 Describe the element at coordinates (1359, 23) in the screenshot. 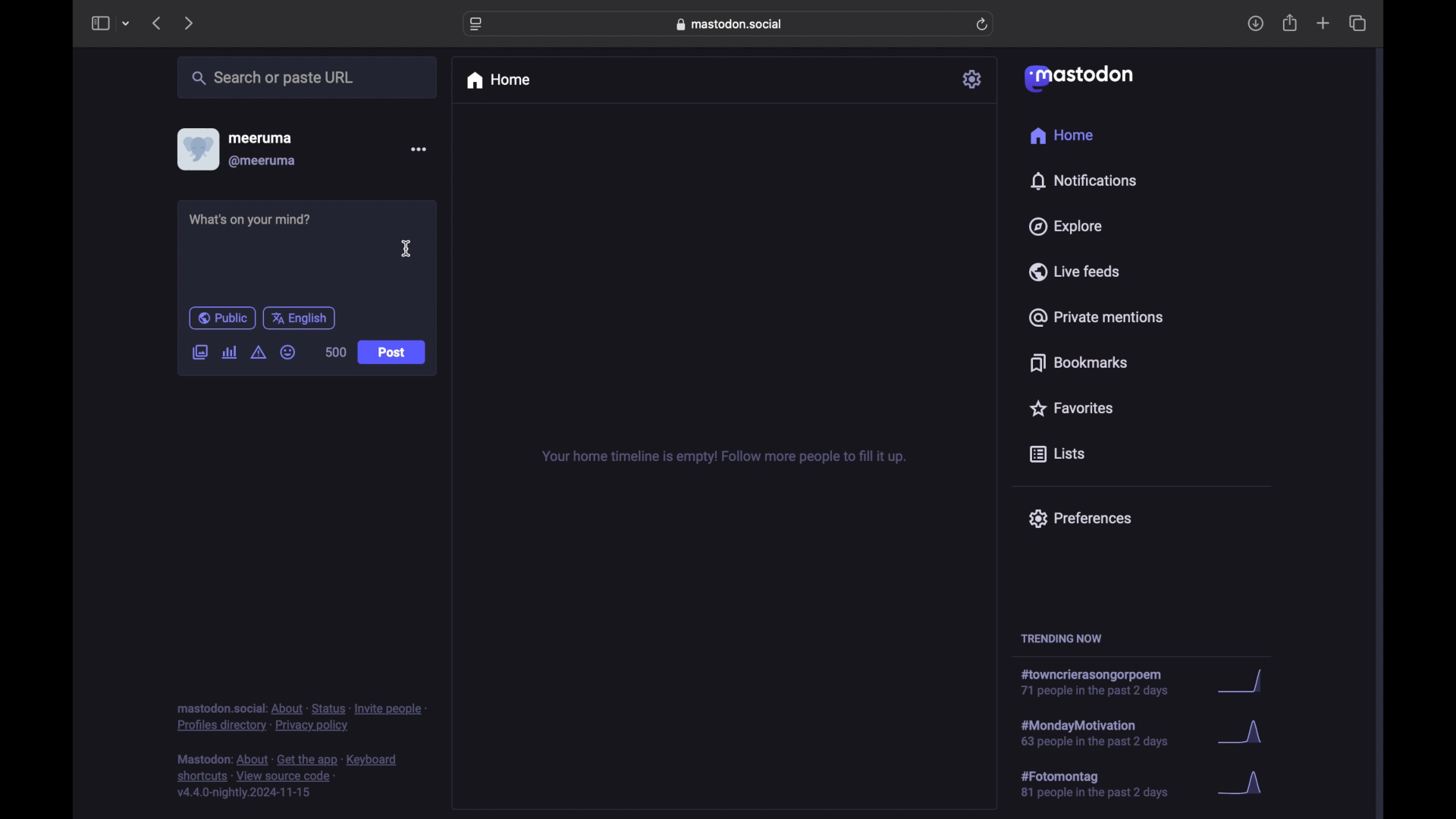

I see `show tab overview` at that location.